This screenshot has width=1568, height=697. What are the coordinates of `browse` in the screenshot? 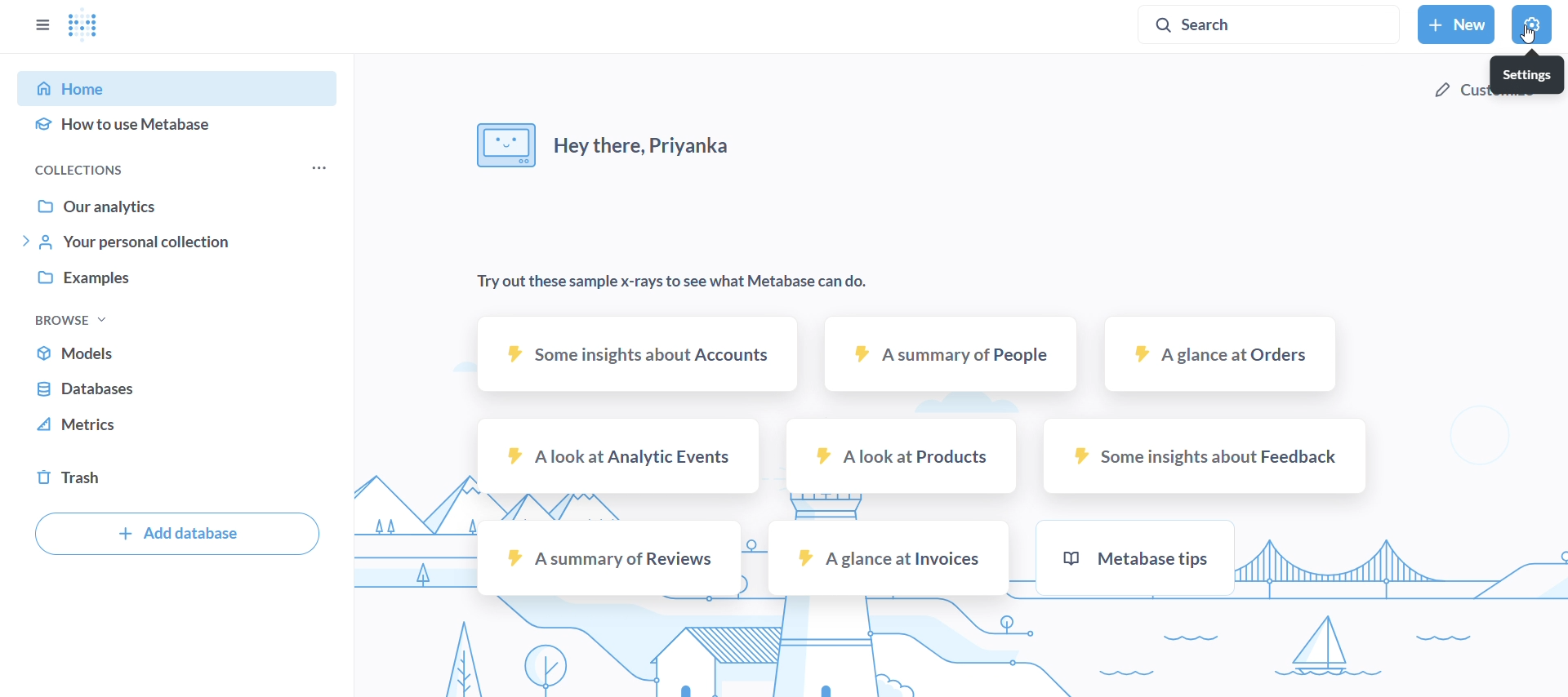 It's located at (74, 317).